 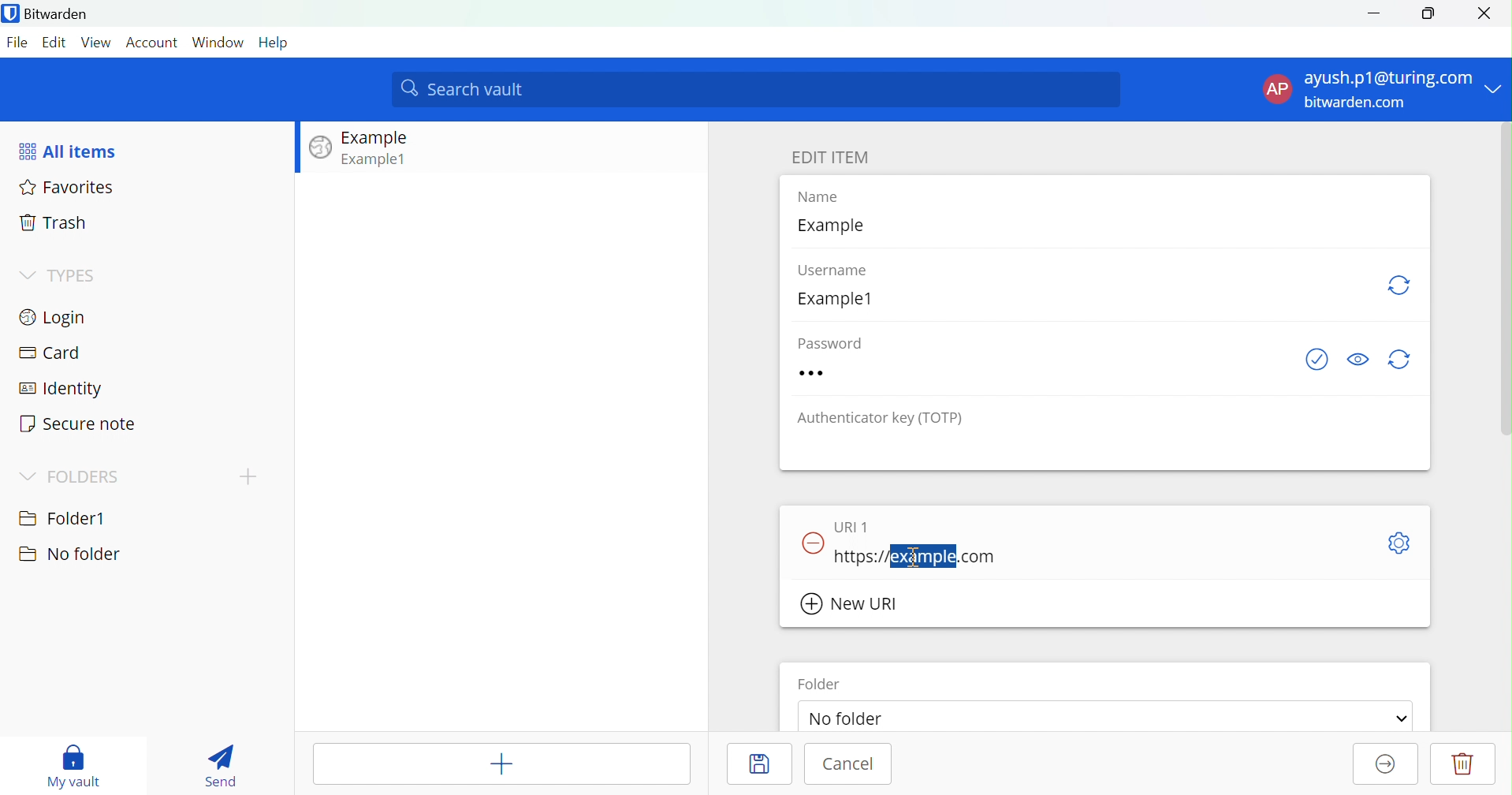 What do you see at coordinates (757, 762) in the screenshot?
I see `Save` at bounding box center [757, 762].